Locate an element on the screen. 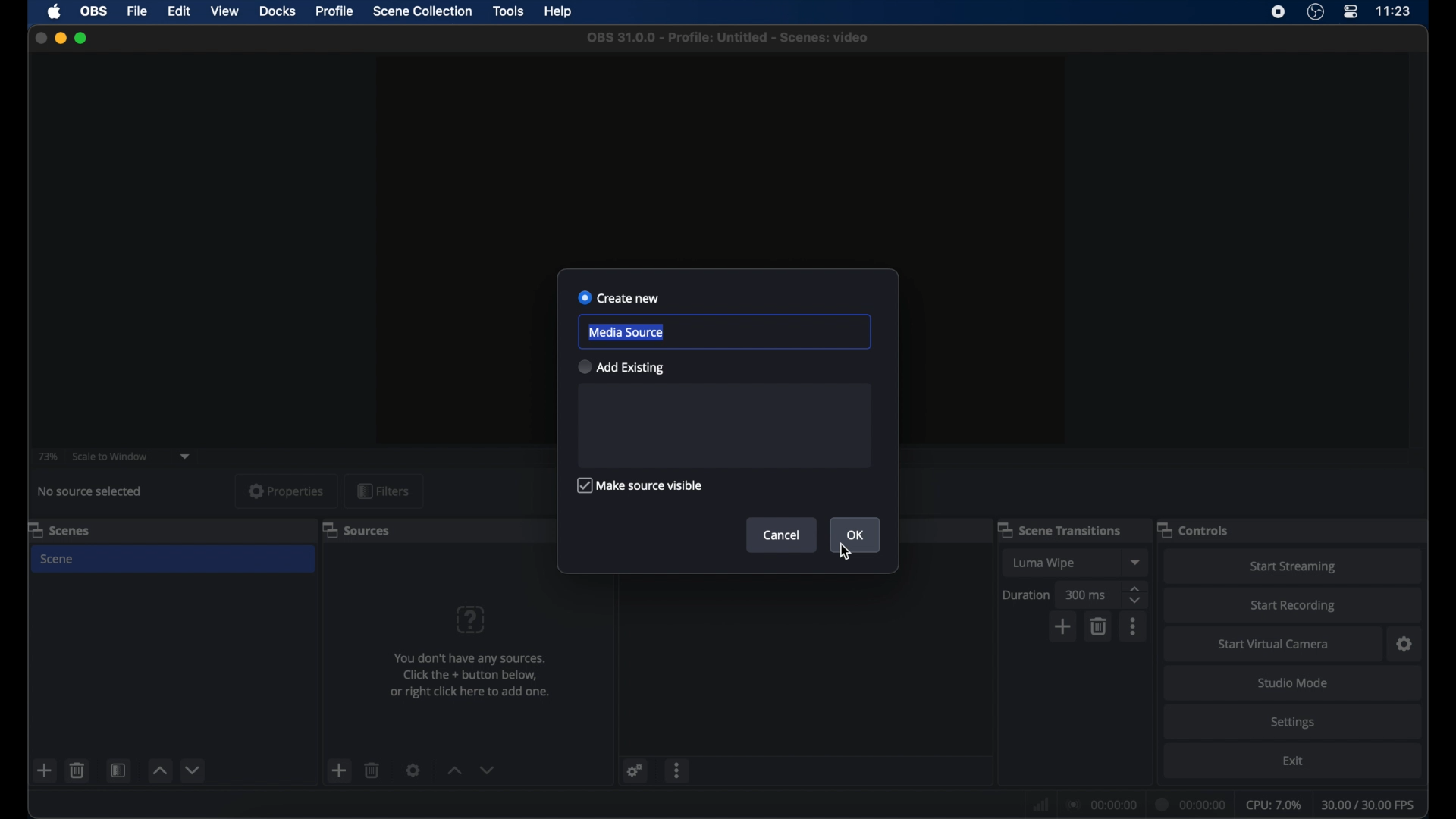  scene collection is located at coordinates (422, 11).